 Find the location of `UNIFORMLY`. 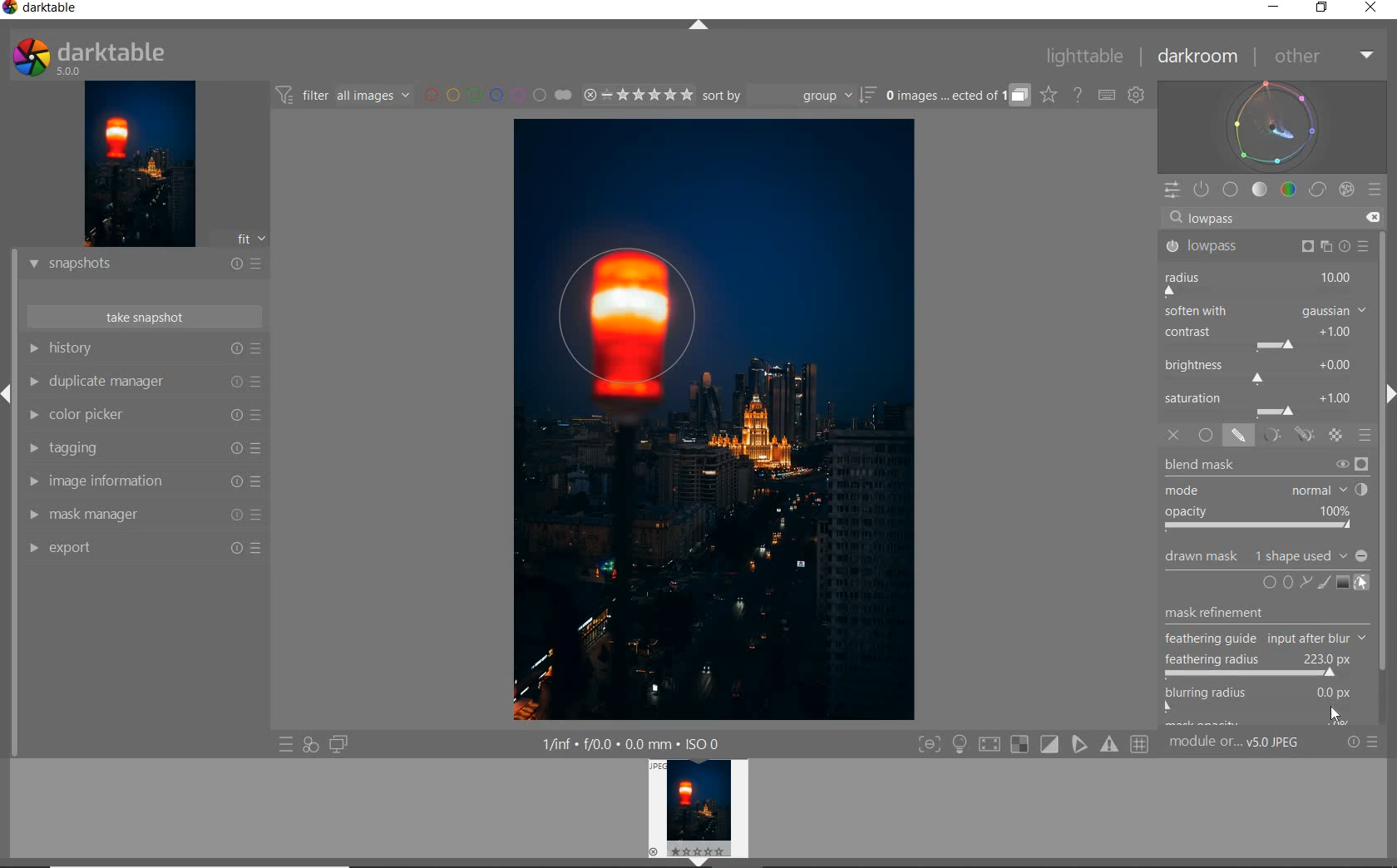

UNIFORMLY is located at coordinates (1207, 436).